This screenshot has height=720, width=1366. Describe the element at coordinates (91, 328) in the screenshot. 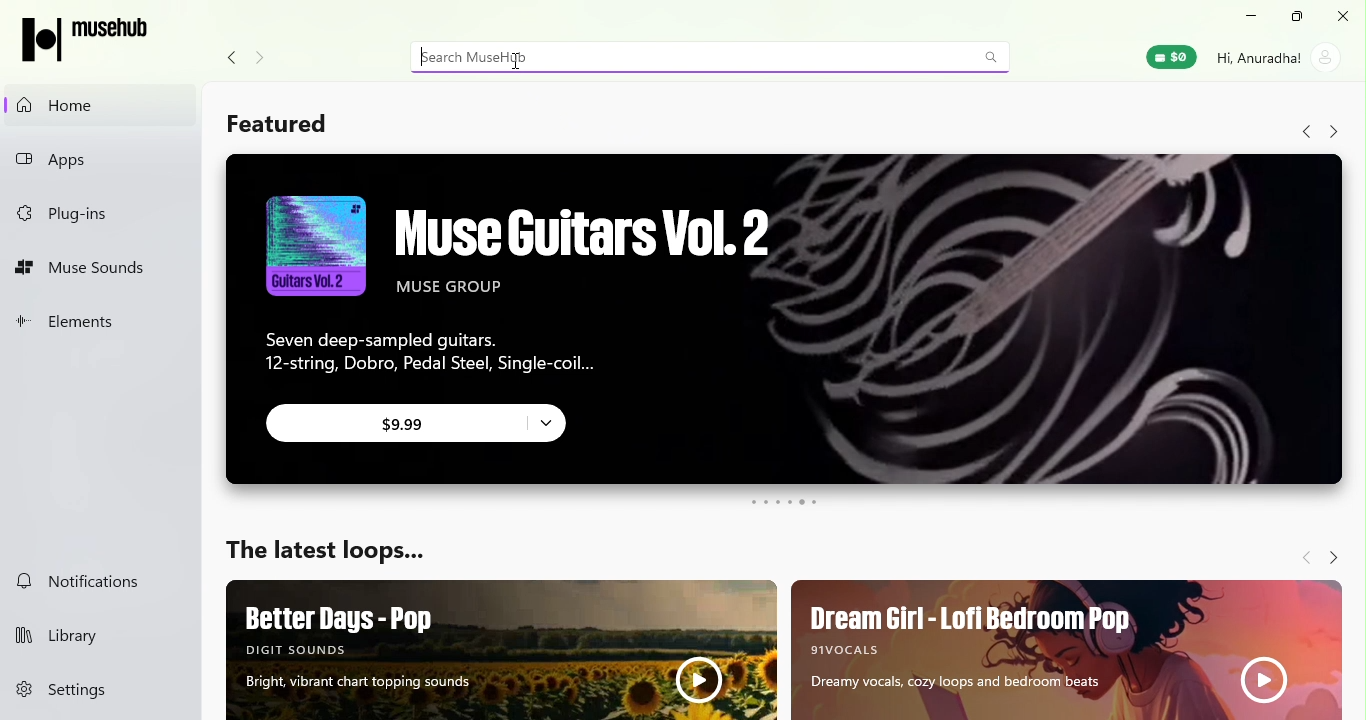

I see `Elements` at that location.